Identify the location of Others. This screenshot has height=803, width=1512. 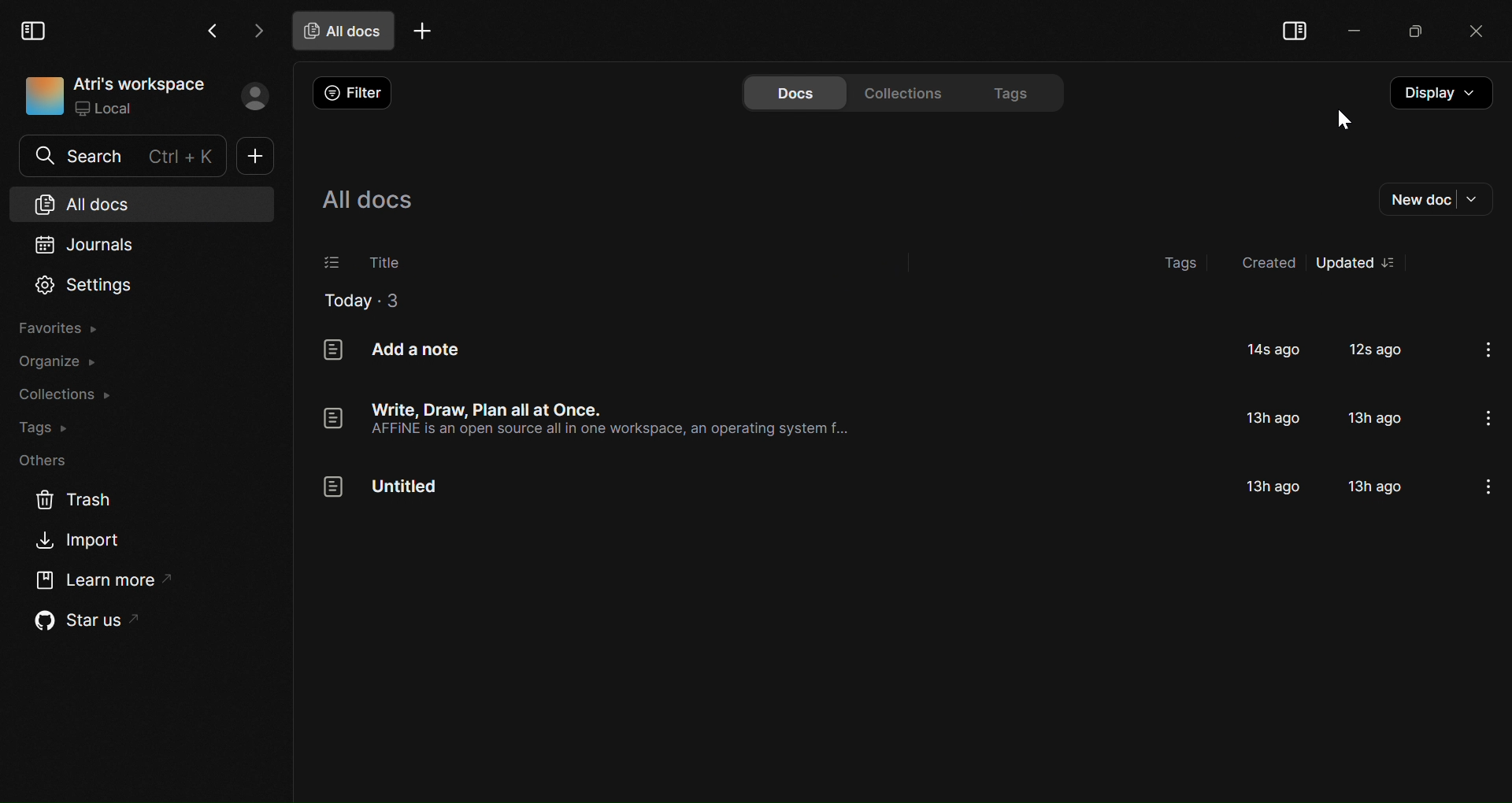
(48, 461).